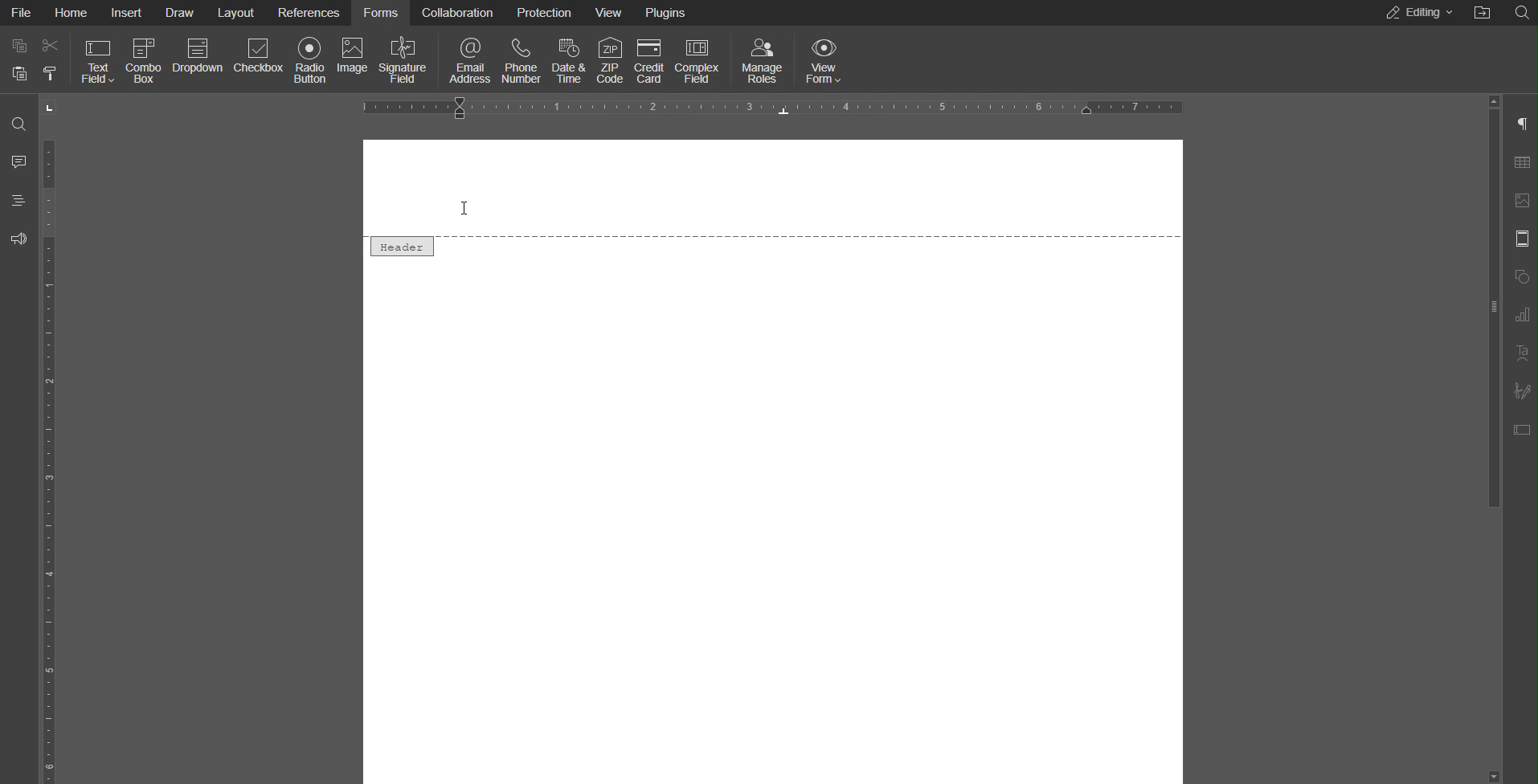  What do you see at coordinates (763, 59) in the screenshot?
I see `Manage Roles` at bounding box center [763, 59].